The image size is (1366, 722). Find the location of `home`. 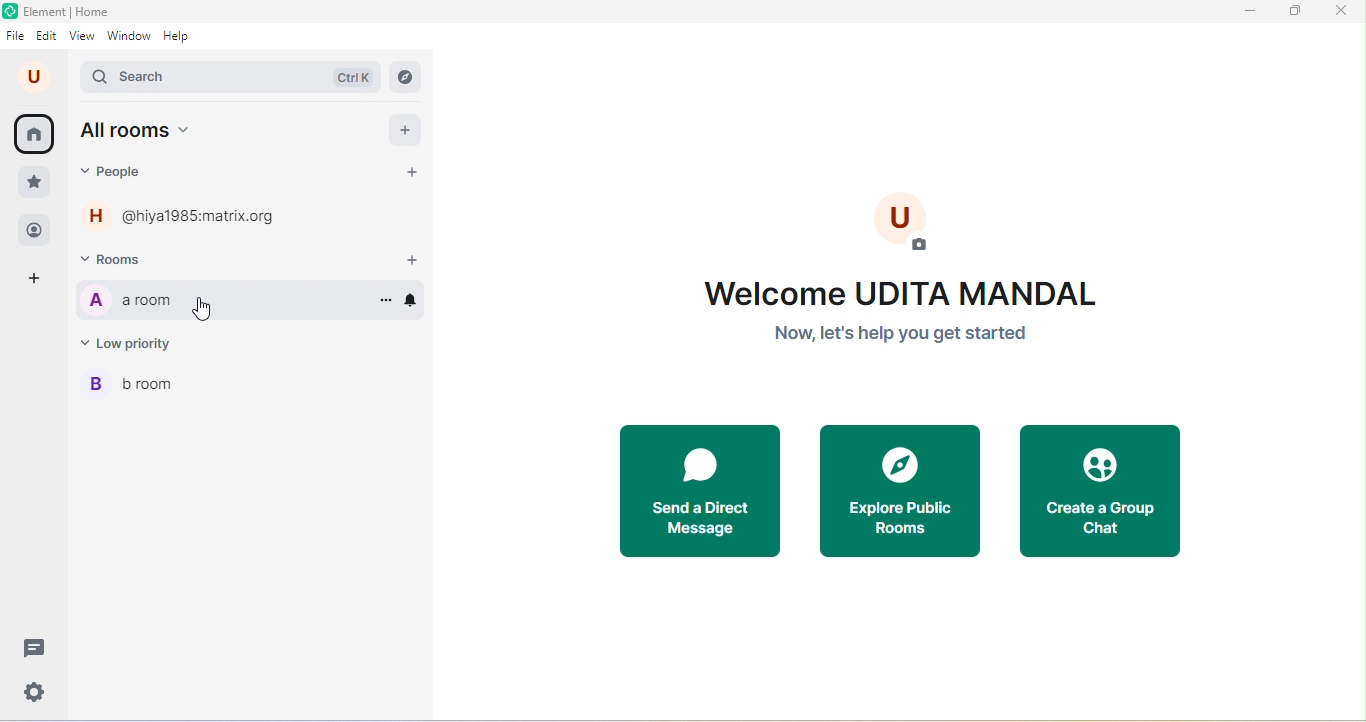

home is located at coordinates (34, 134).